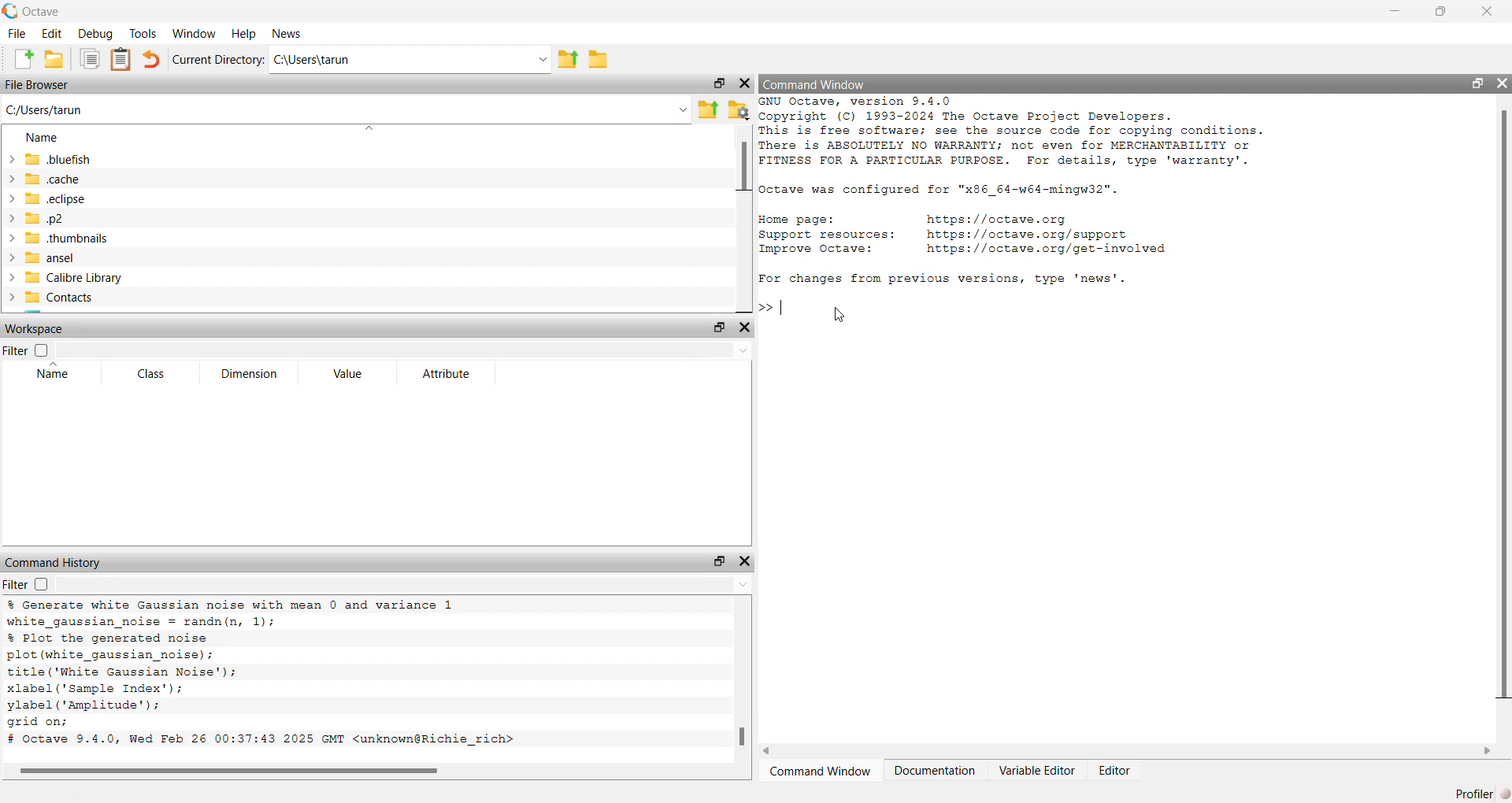 The width and height of the screenshot is (1512, 803). What do you see at coordinates (1466, 794) in the screenshot?
I see `profiler` at bounding box center [1466, 794].